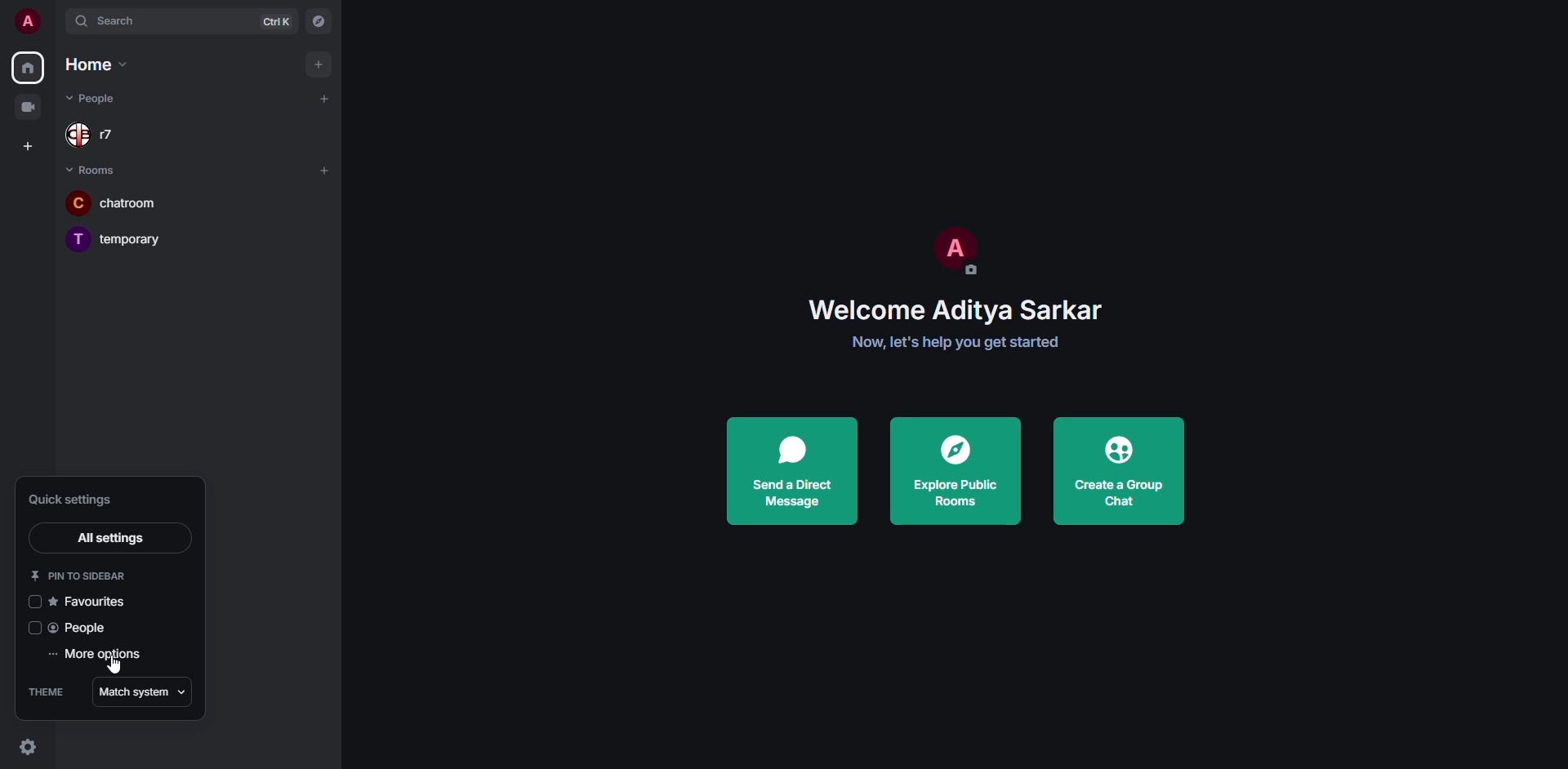 The height and width of the screenshot is (769, 1568). I want to click on profile, so click(26, 24).